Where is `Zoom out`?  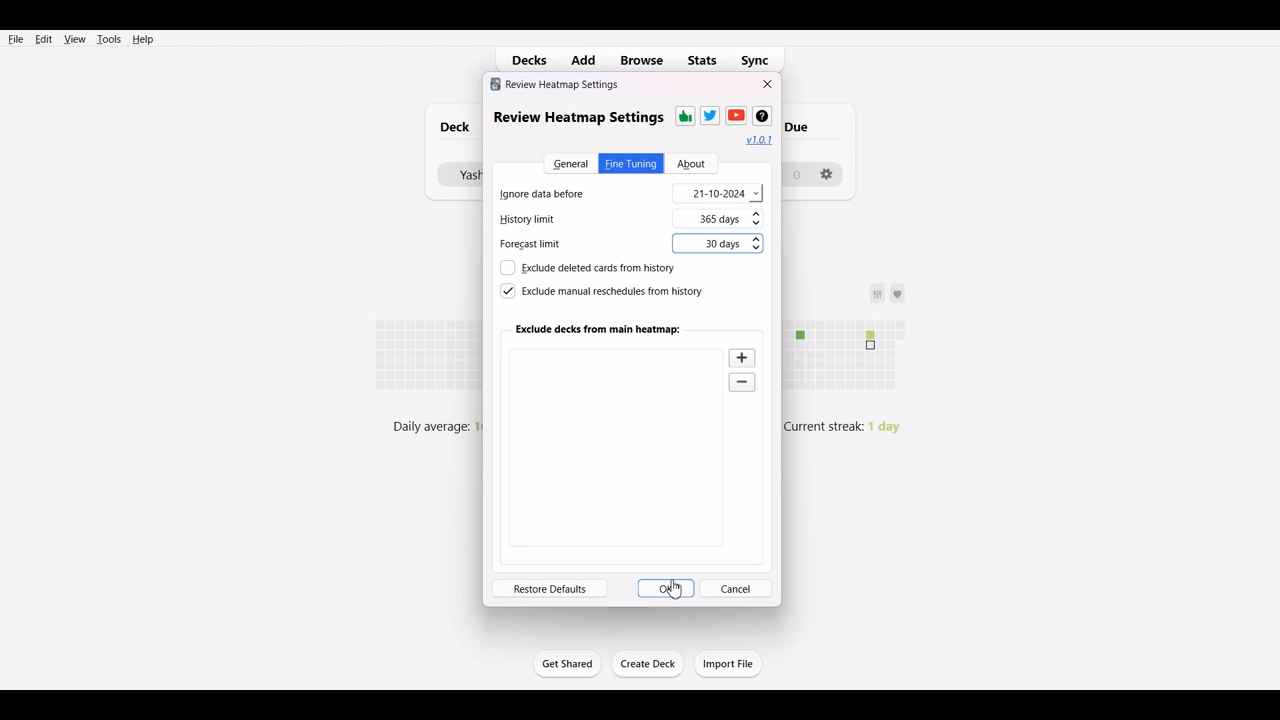 Zoom out is located at coordinates (744, 384).